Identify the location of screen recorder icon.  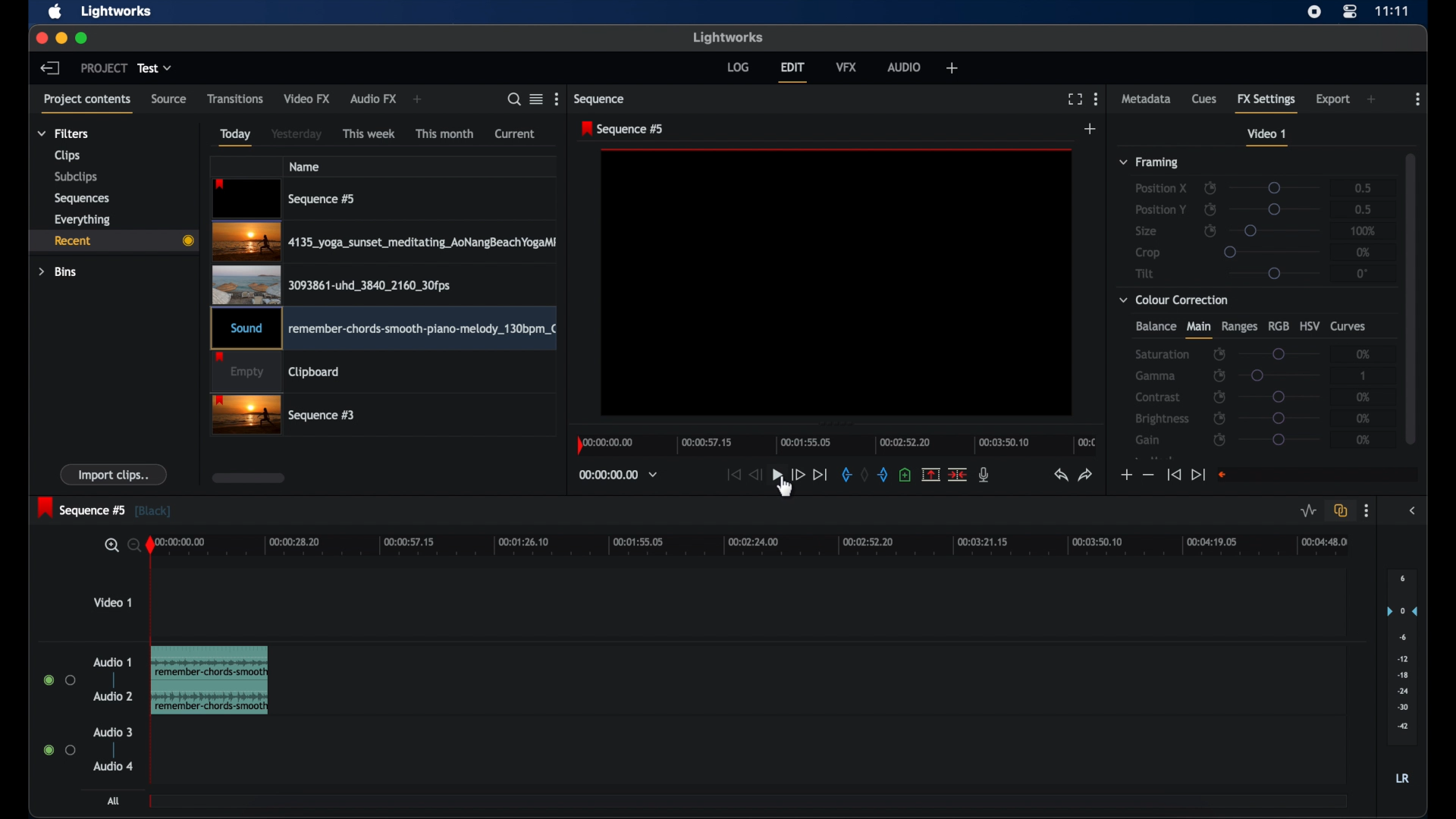
(1314, 12).